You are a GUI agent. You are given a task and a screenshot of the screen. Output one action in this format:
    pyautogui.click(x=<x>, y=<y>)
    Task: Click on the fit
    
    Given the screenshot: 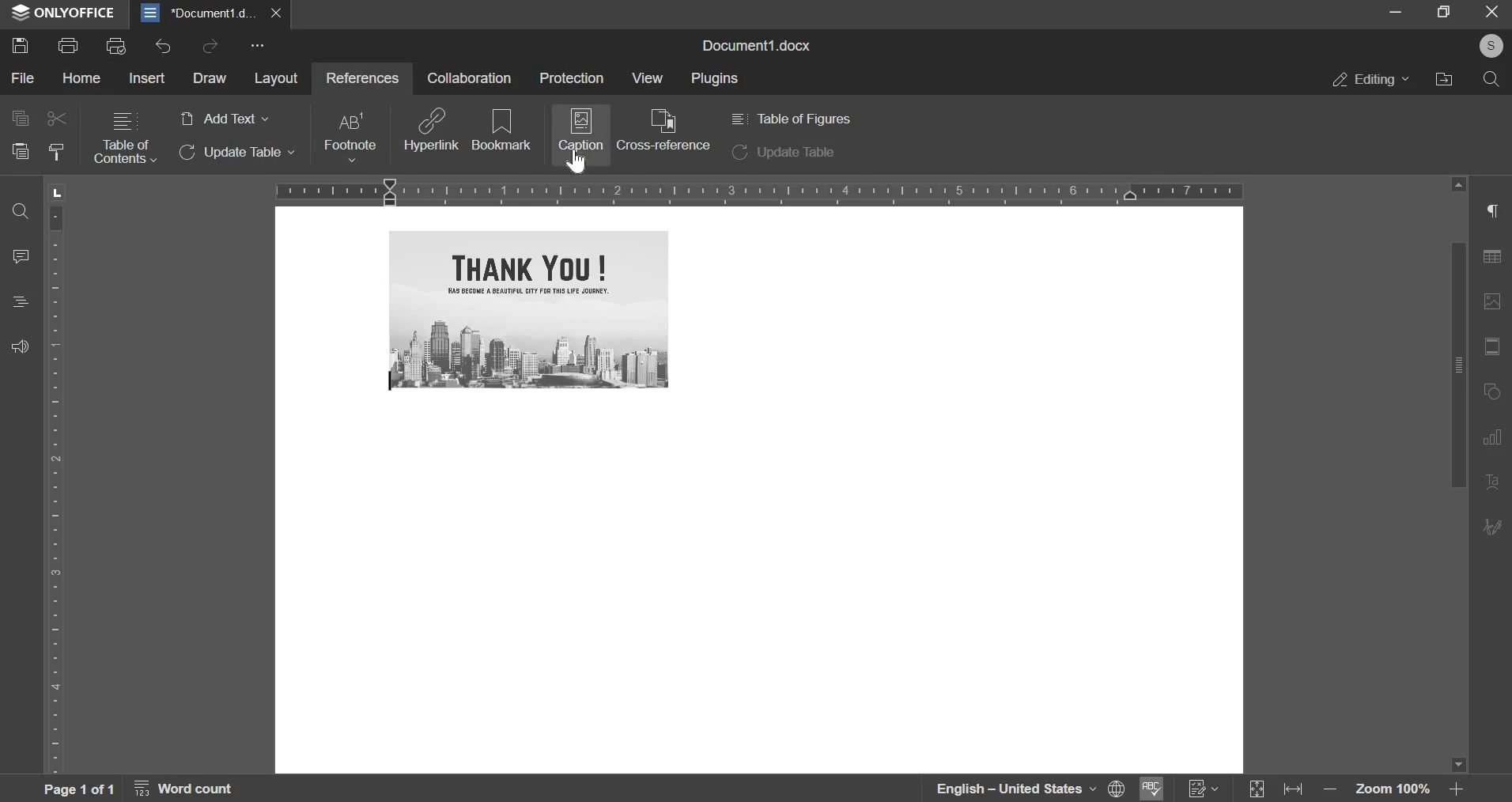 What is the action you would take?
    pyautogui.click(x=1495, y=348)
    